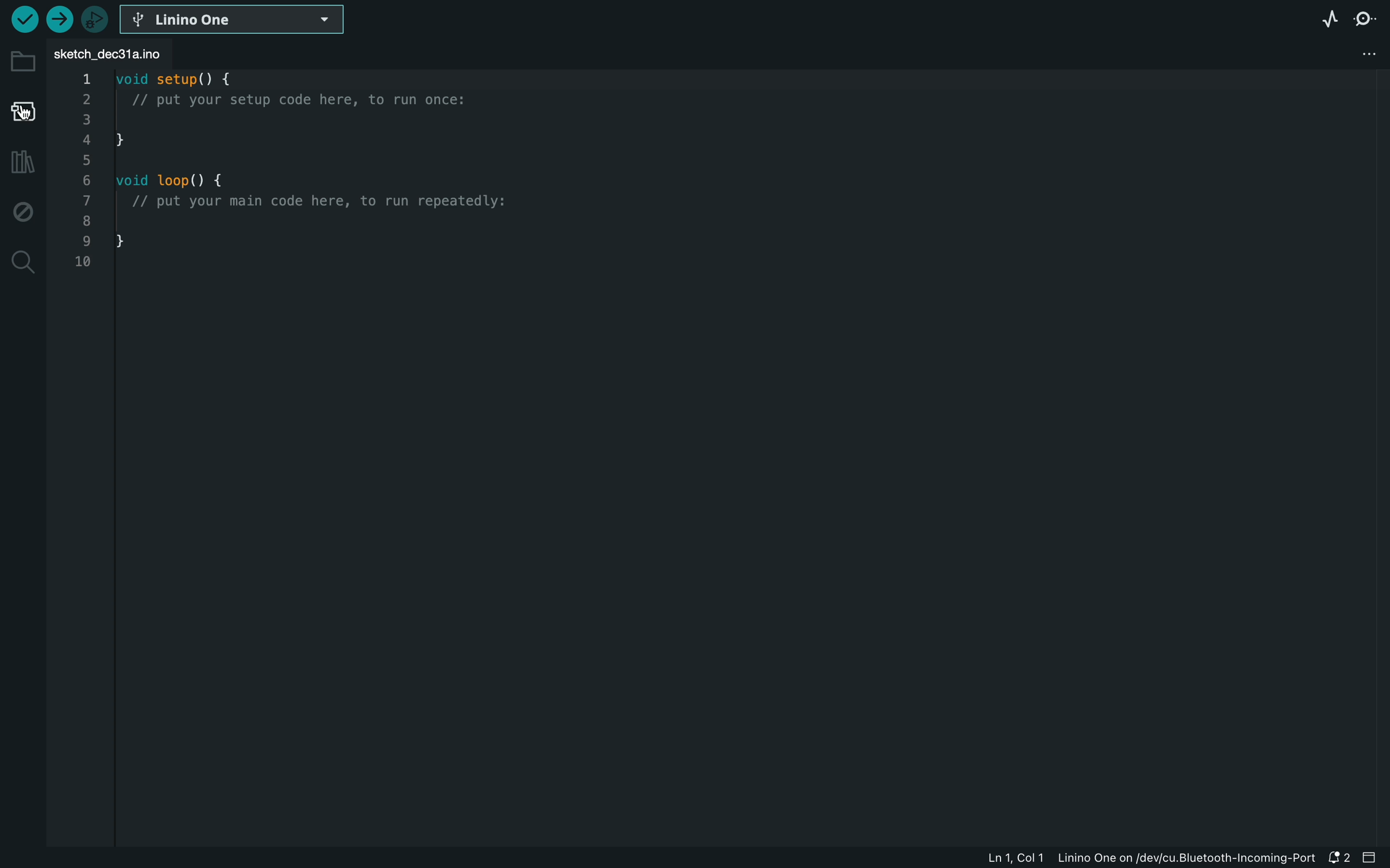 Image resolution: width=1390 pixels, height=868 pixels. Describe the element at coordinates (21, 261) in the screenshot. I see `search` at that location.